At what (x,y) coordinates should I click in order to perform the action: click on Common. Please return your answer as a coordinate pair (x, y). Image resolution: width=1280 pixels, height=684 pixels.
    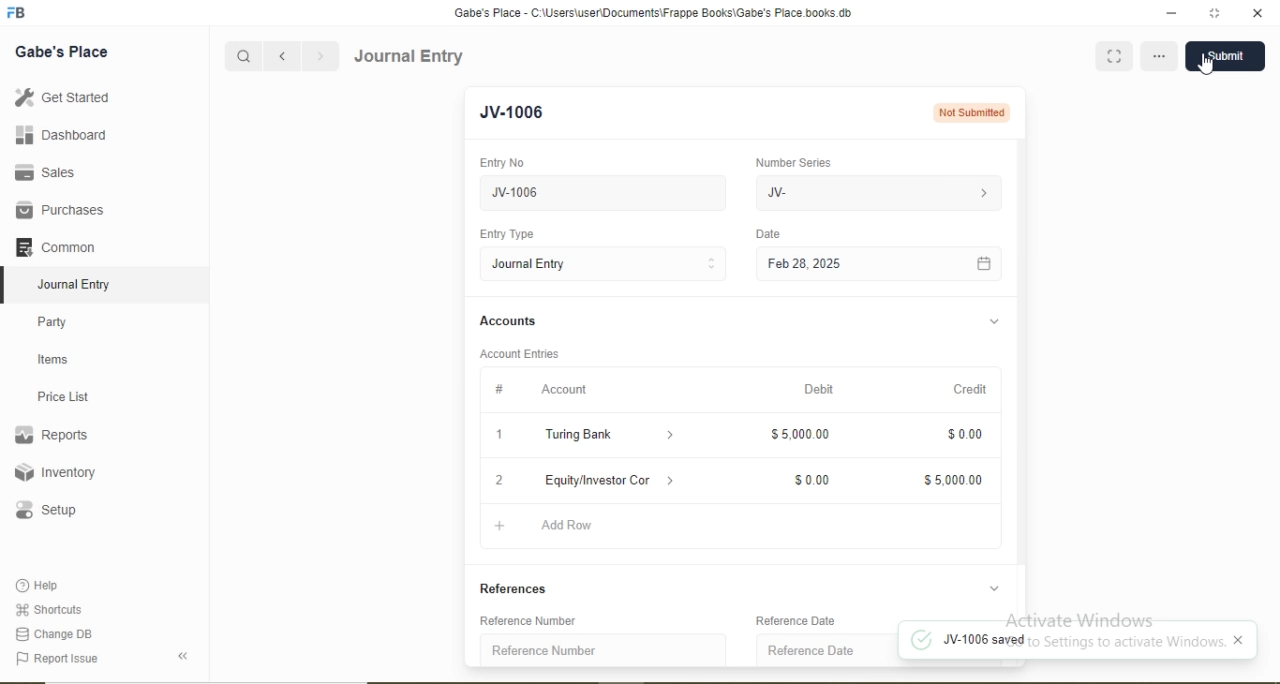
    Looking at the image, I should click on (54, 246).